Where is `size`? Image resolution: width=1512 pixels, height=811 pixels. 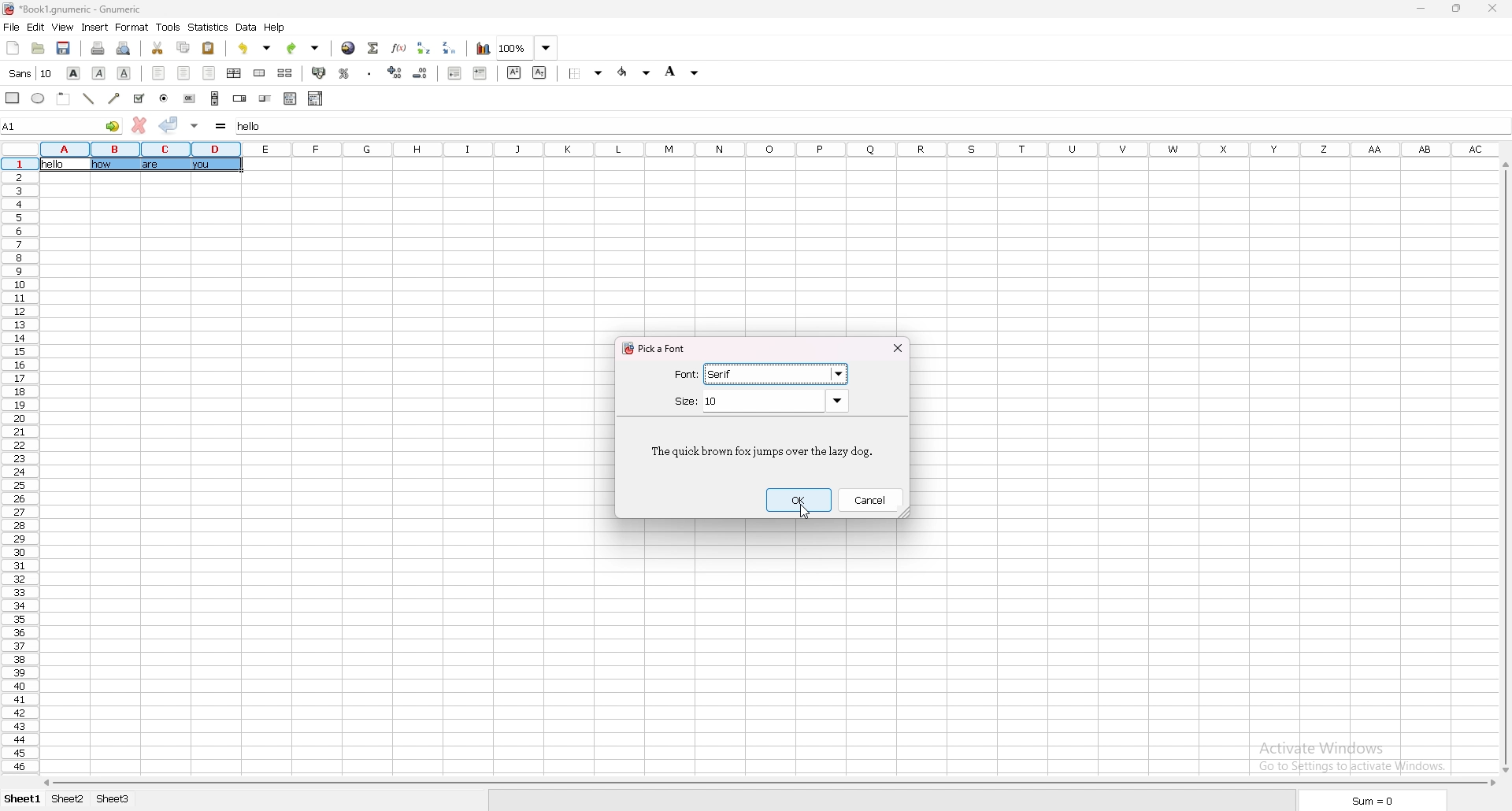
size is located at coordinates (758, 400).